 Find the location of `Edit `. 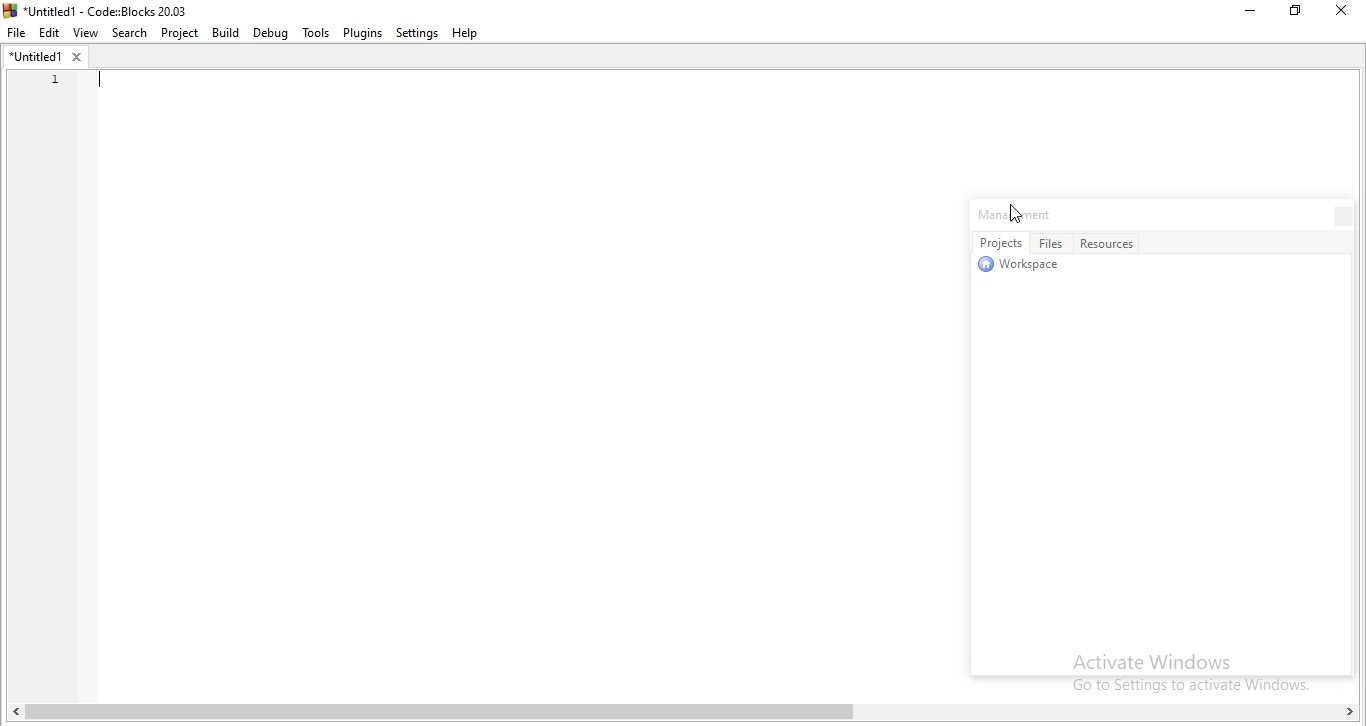

Edit  is located at coordinates (51, 31).